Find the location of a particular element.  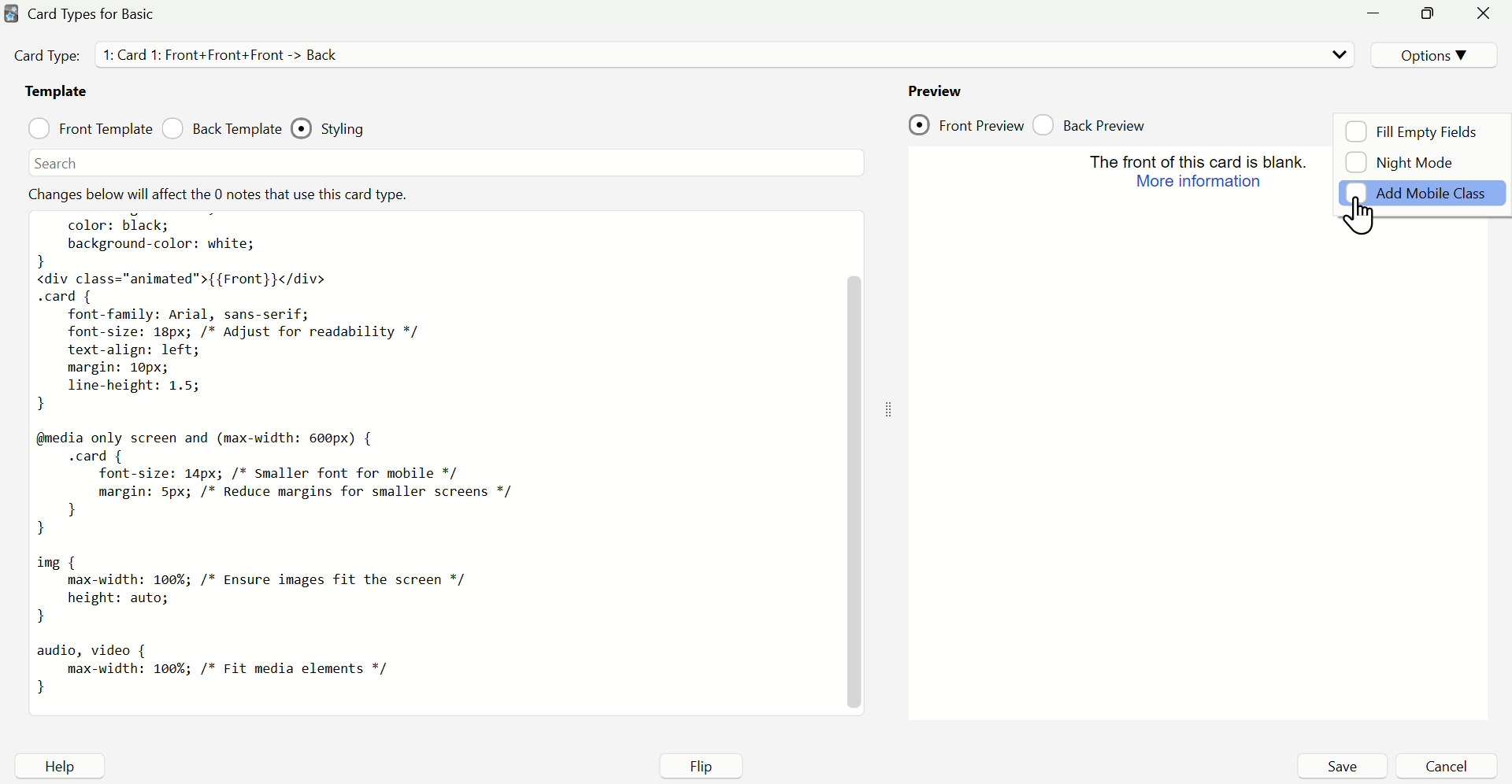

Fill Empty Fields is located at coordinates (1415, 130).